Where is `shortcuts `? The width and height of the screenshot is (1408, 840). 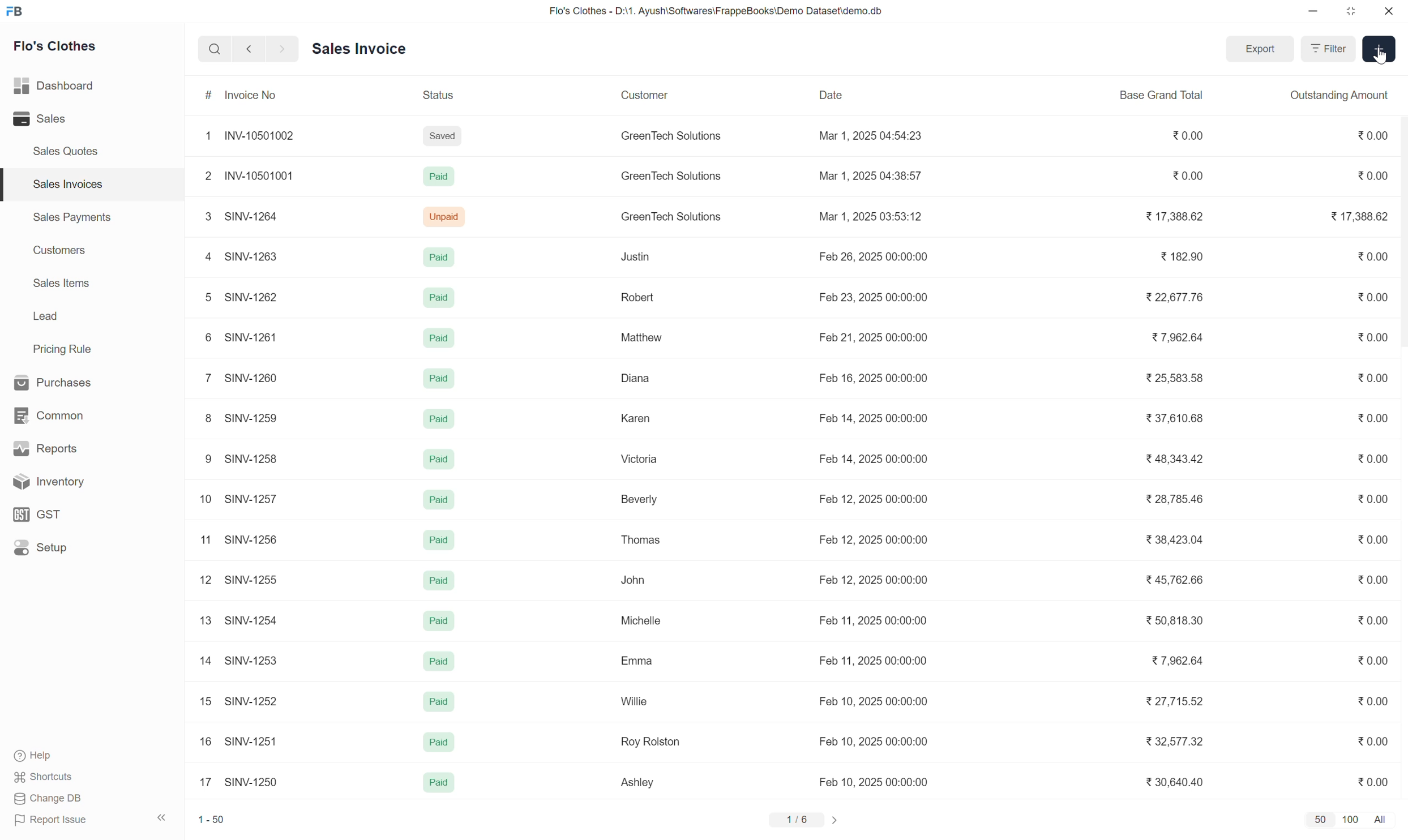 shortcuts  is located at coordinates (54, 777).